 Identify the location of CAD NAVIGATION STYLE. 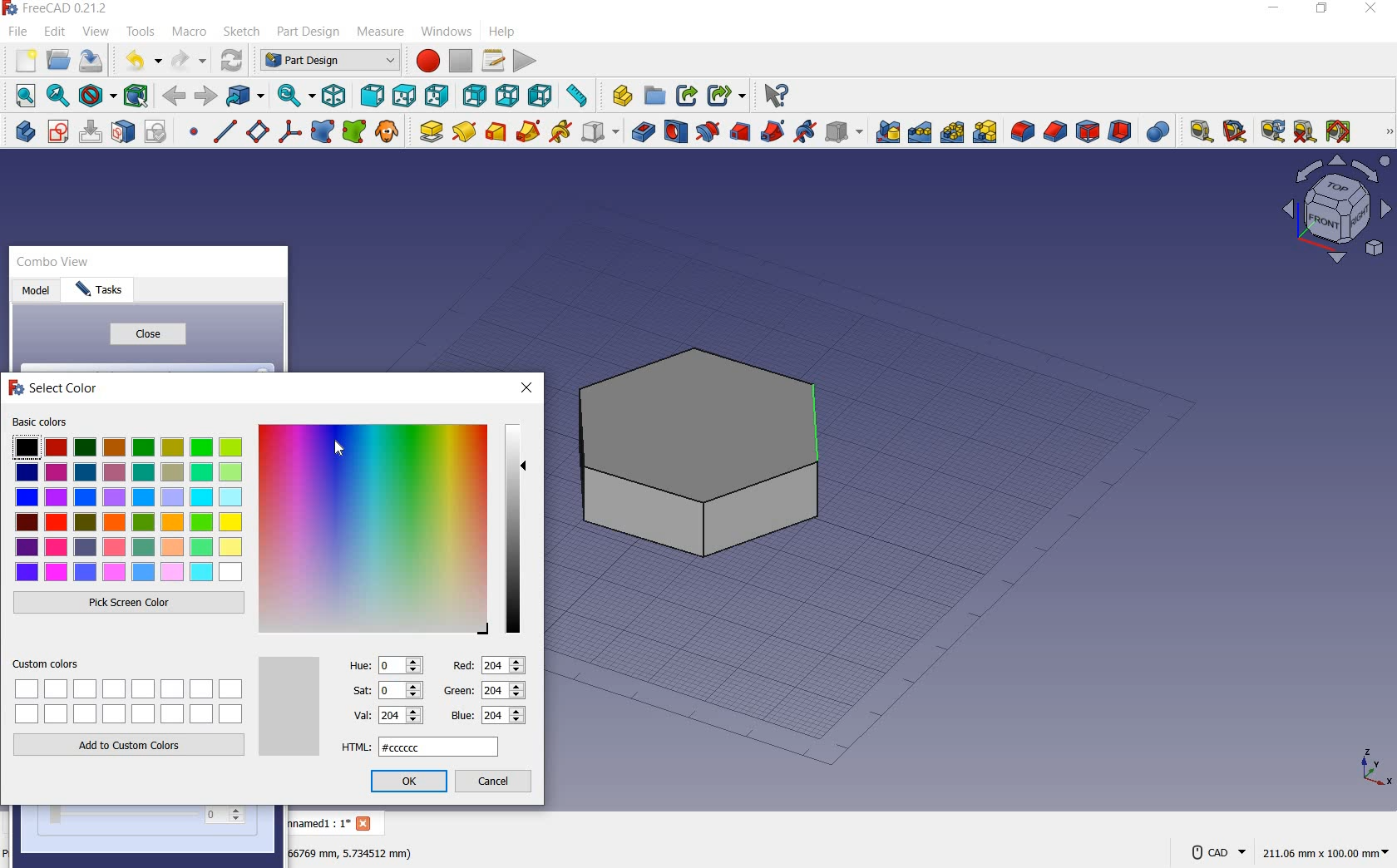
(1214, 852).